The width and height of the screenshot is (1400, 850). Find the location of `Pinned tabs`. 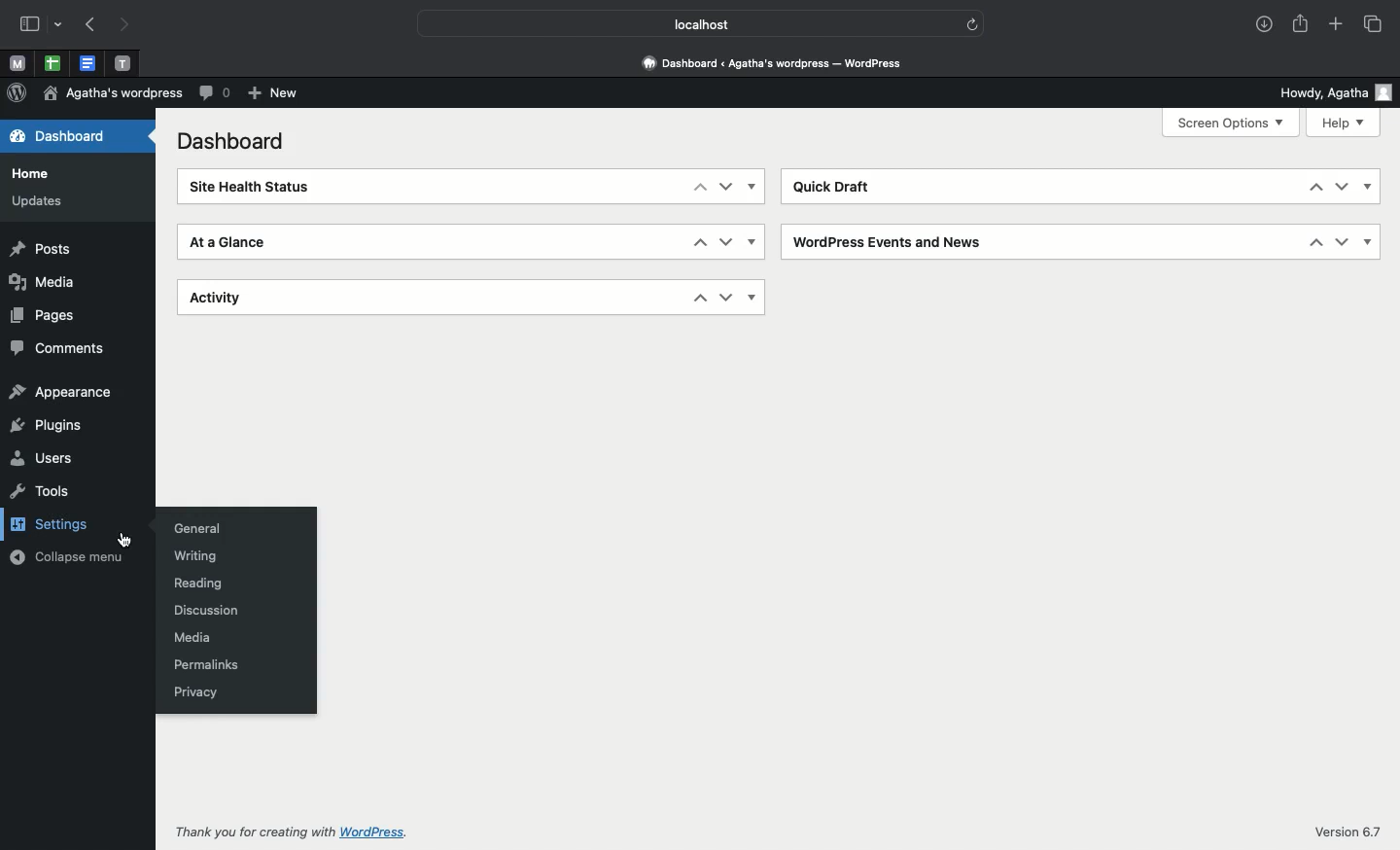

Pinned tabs is located at coordinates (53, 62).